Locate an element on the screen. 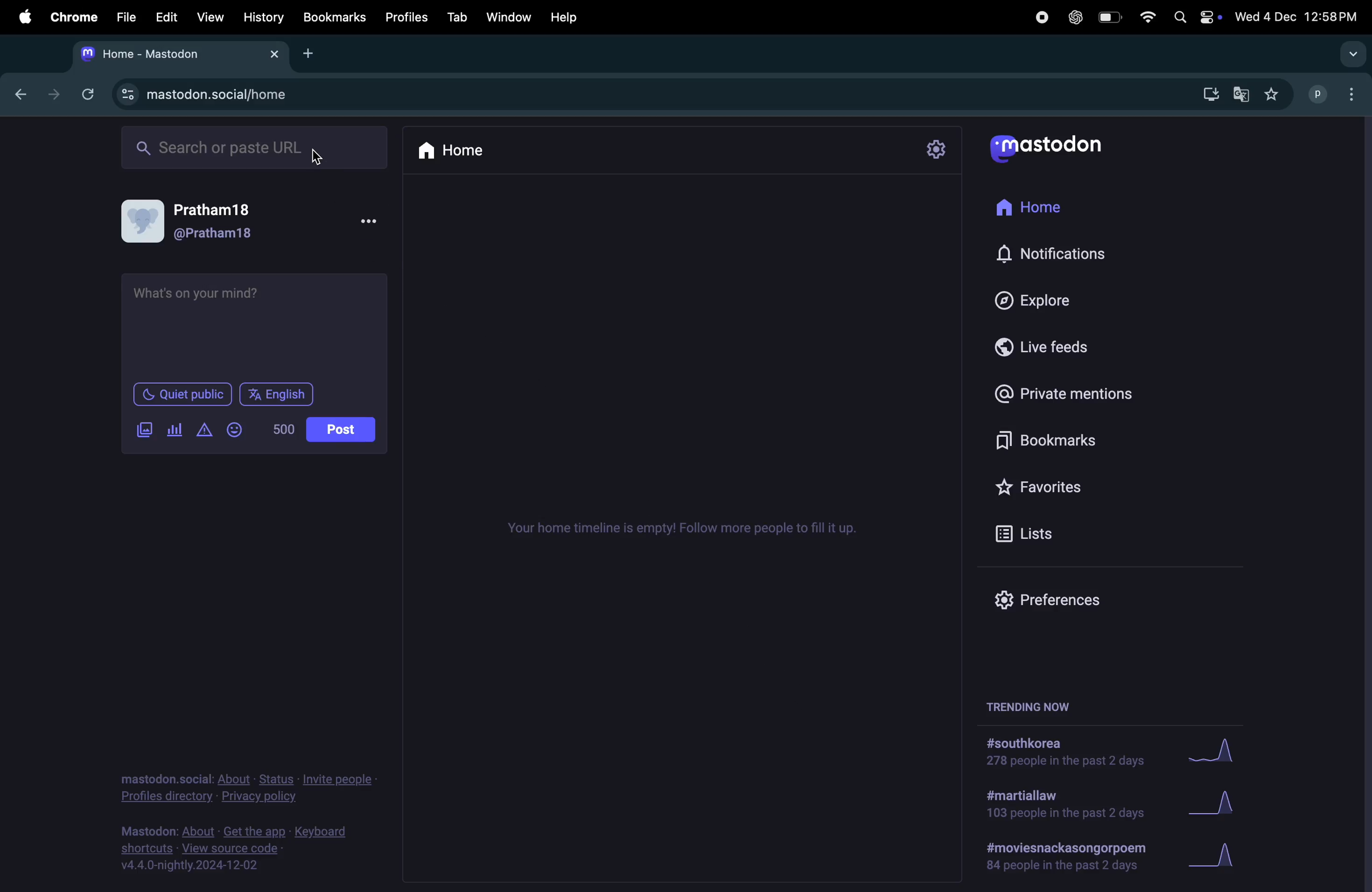 The image size is (1372, 892). search url is located at coordinates (255, 147).